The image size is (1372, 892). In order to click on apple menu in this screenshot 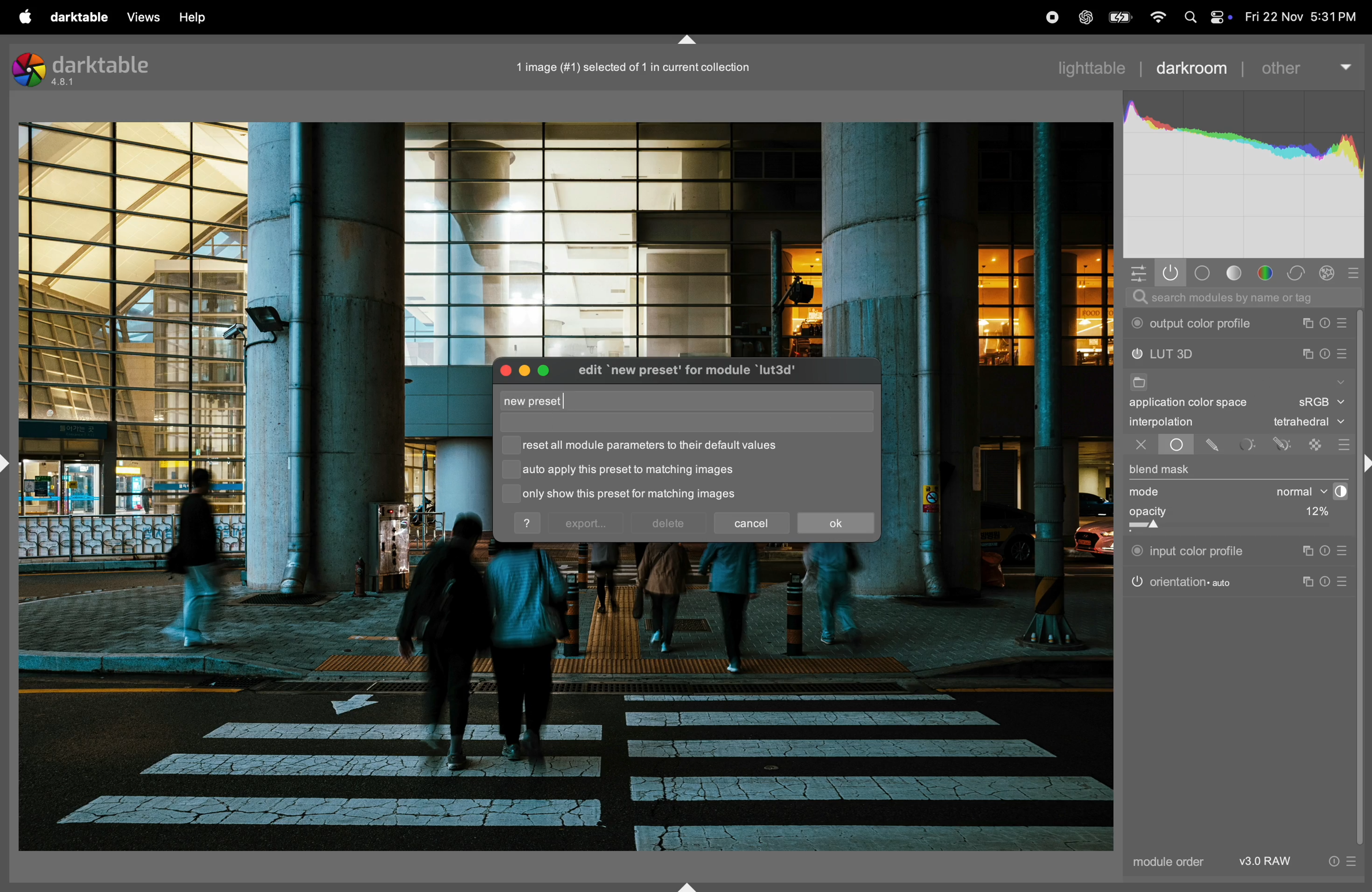, I will do `click(18, 16)`.